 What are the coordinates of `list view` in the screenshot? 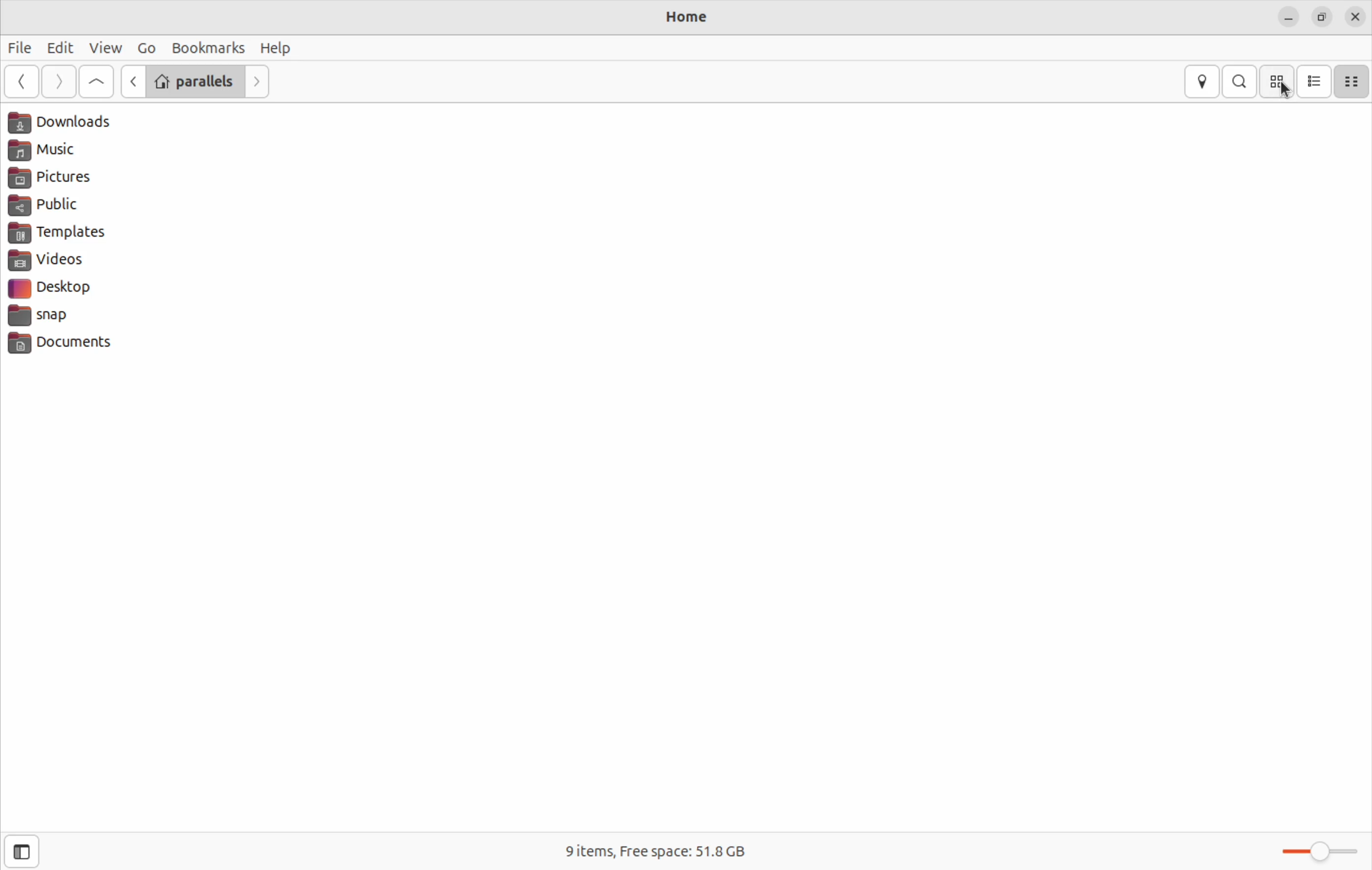 It's located at (1316, 81).